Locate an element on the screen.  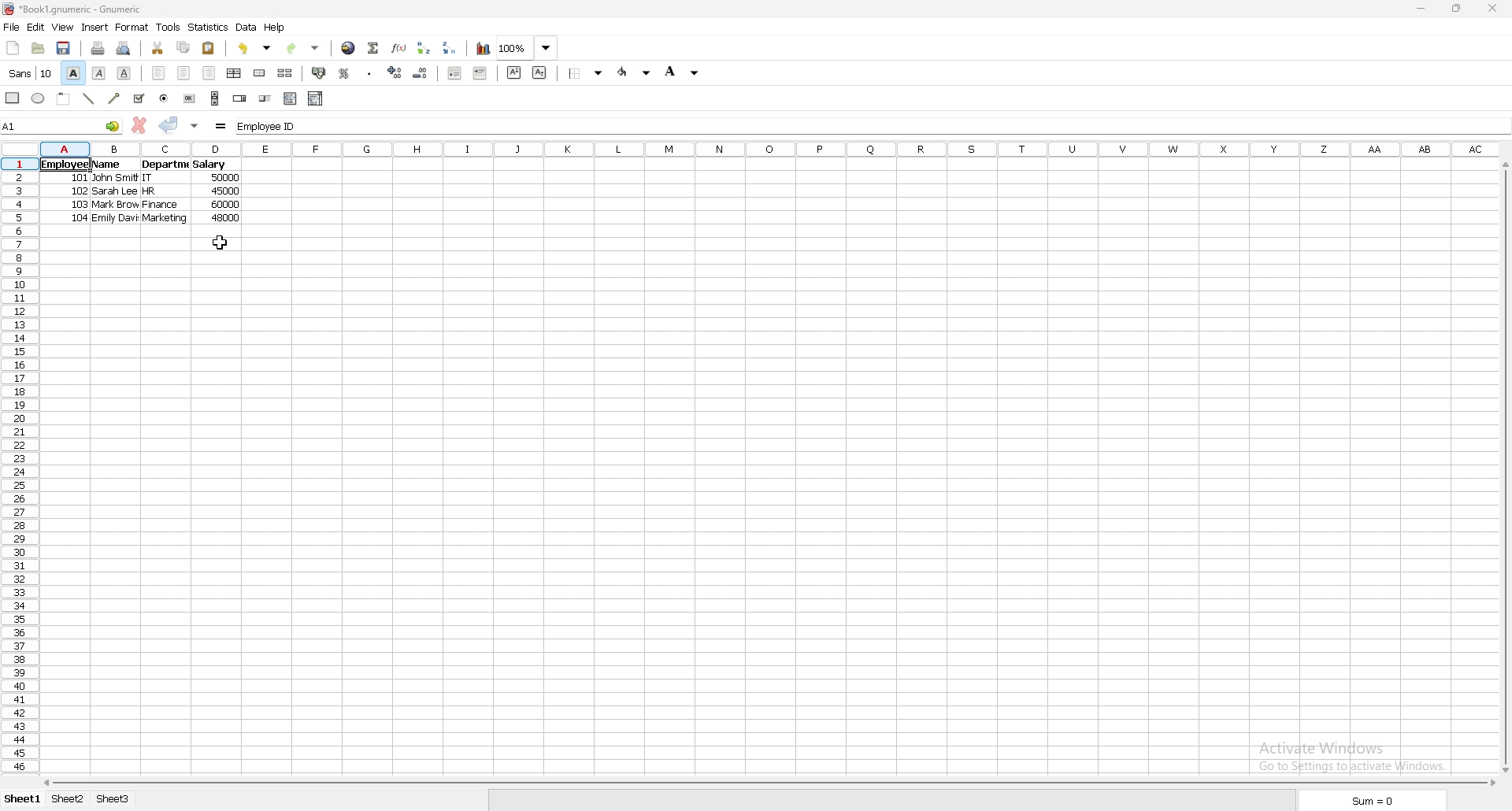
minimize is located at coordinates (1422, 9).